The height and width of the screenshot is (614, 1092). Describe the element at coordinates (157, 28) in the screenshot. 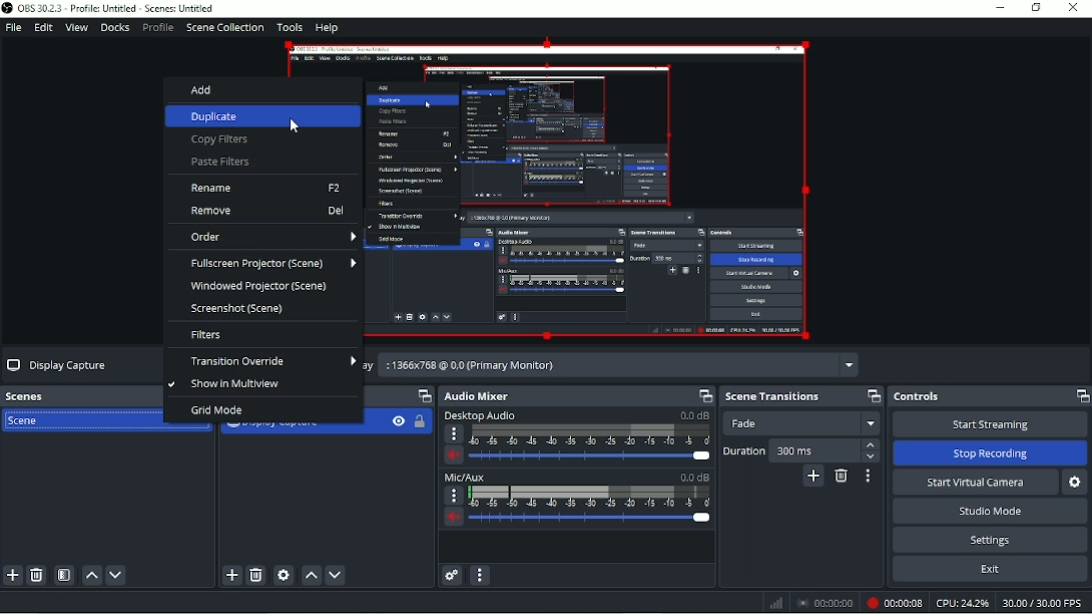

I see `Profile` at that location.